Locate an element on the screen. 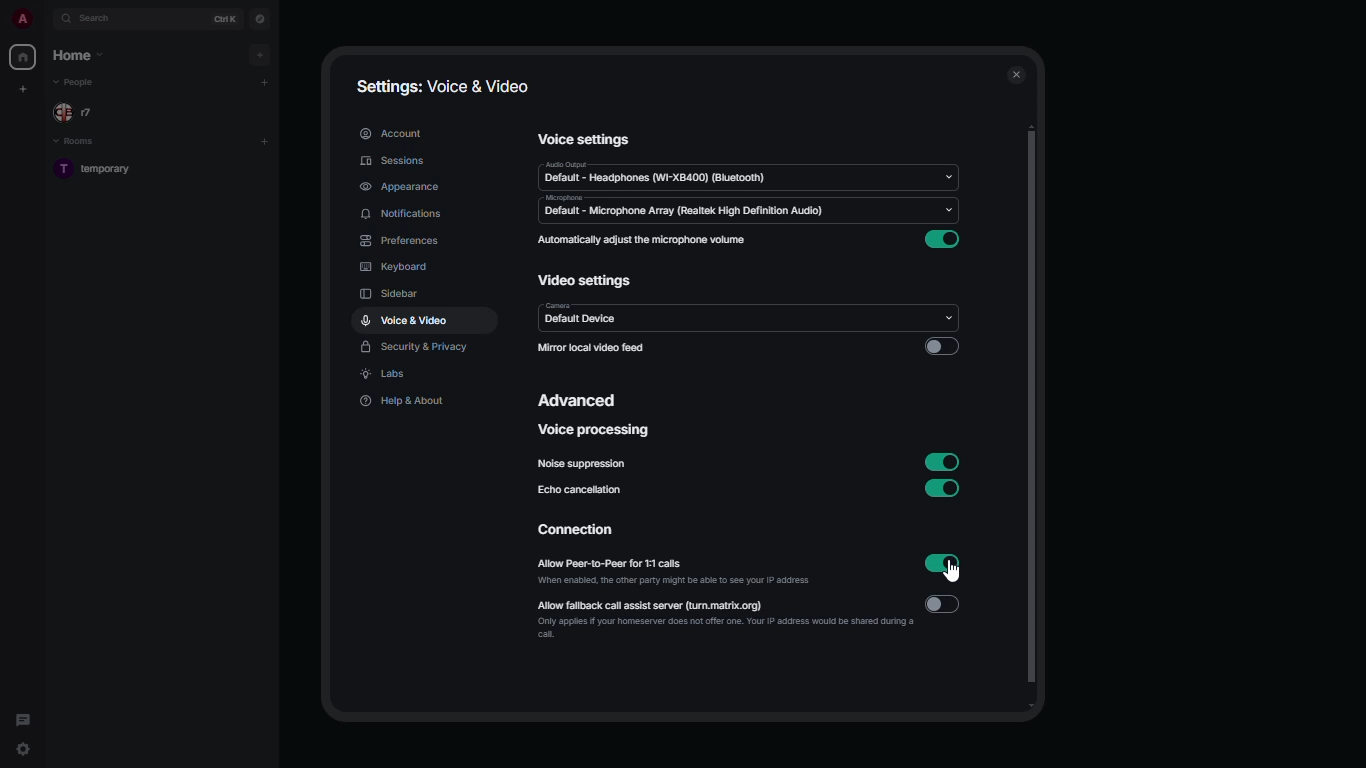 This screenshot has height=768, width=1366. add is located at coordinates (262, 54).